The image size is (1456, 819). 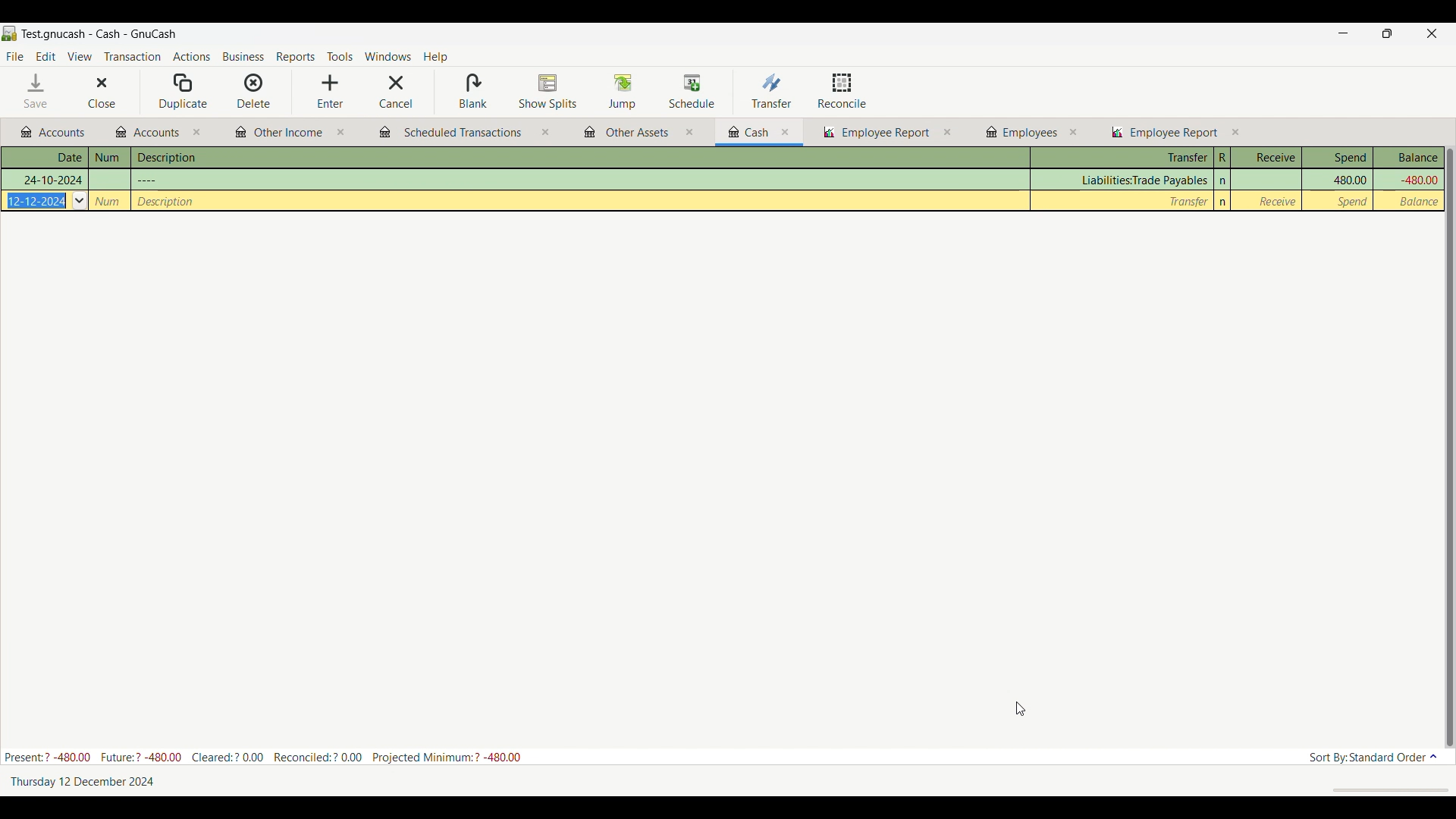 What do you see at coordinates (582, 157) in the screenshot?
I see `Description column` at bounding box center [582, 157].